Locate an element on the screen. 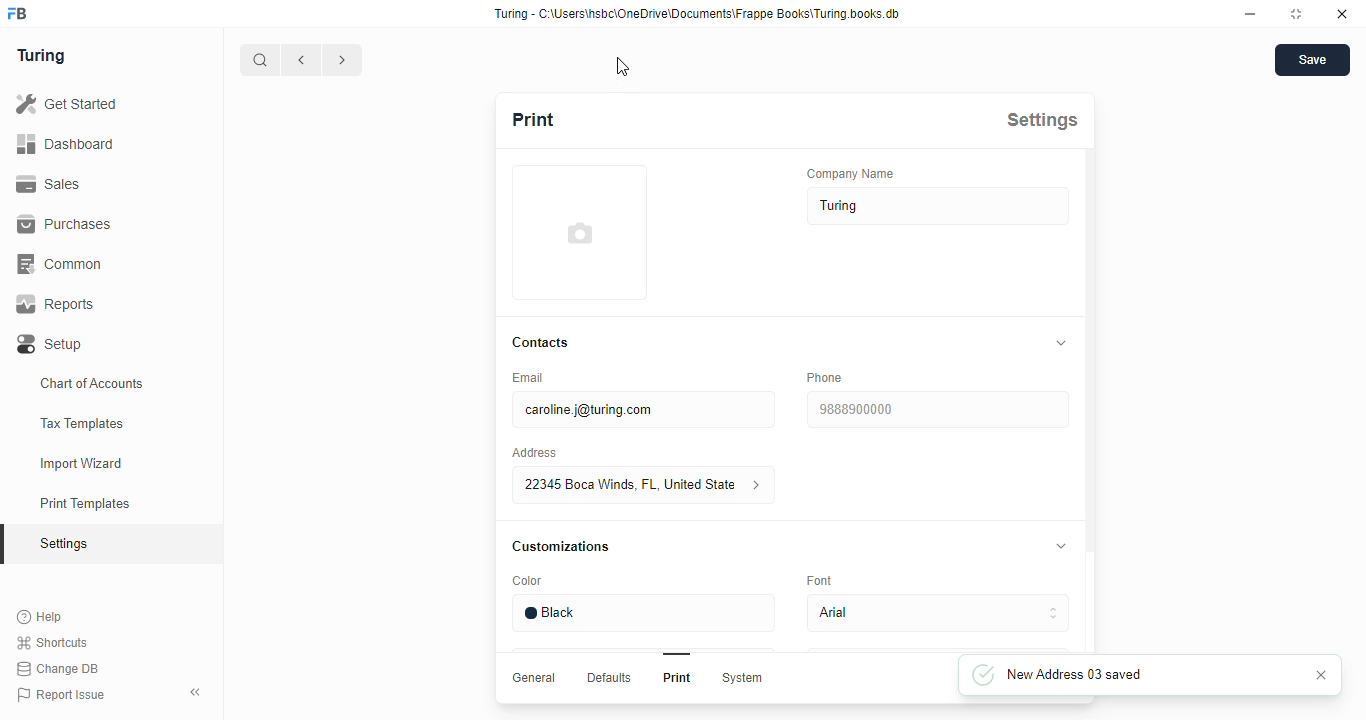  dashboard is located at coordinates (65, 143).